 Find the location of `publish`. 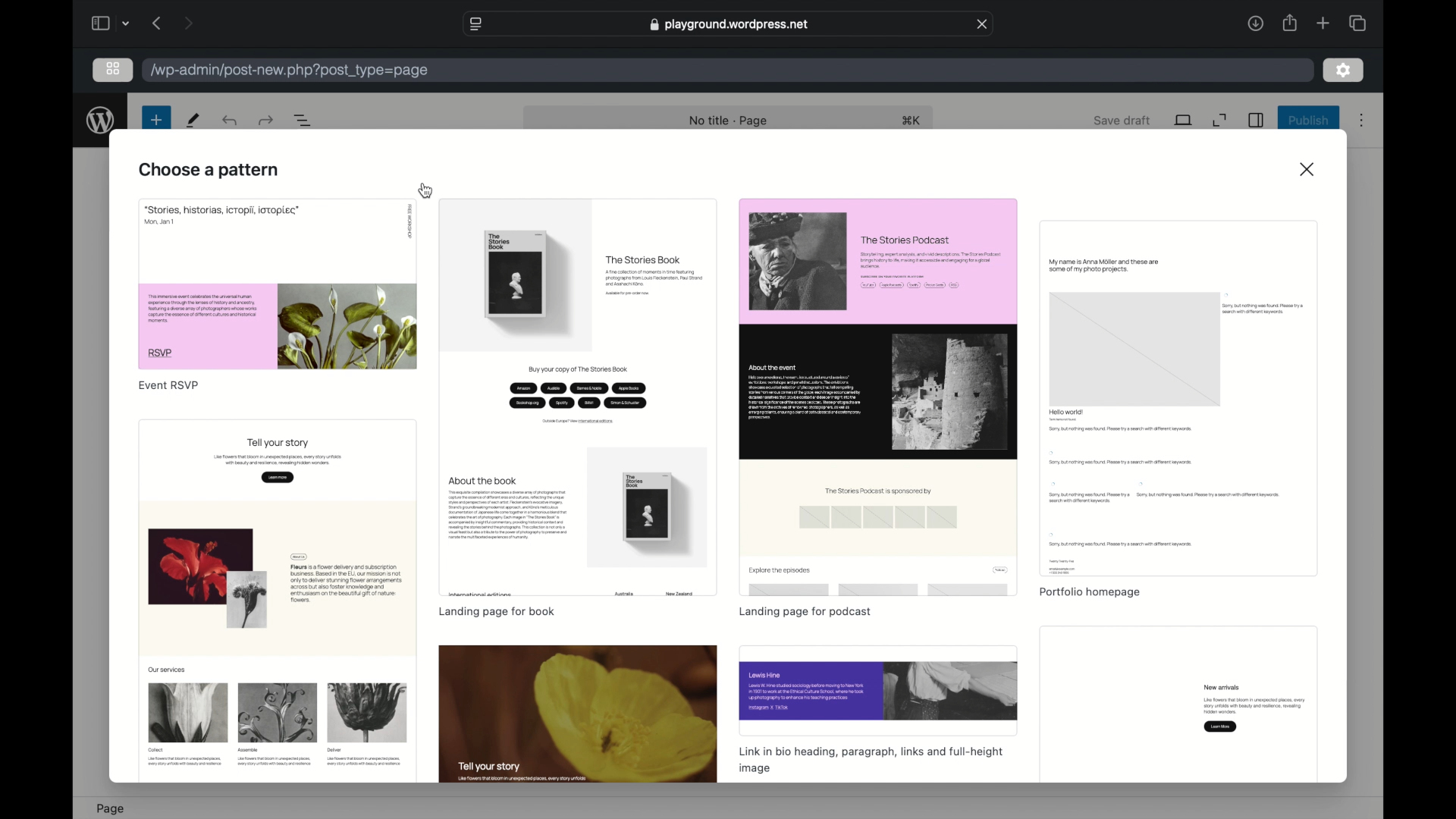

publish is located at coordinates (1309, 120).